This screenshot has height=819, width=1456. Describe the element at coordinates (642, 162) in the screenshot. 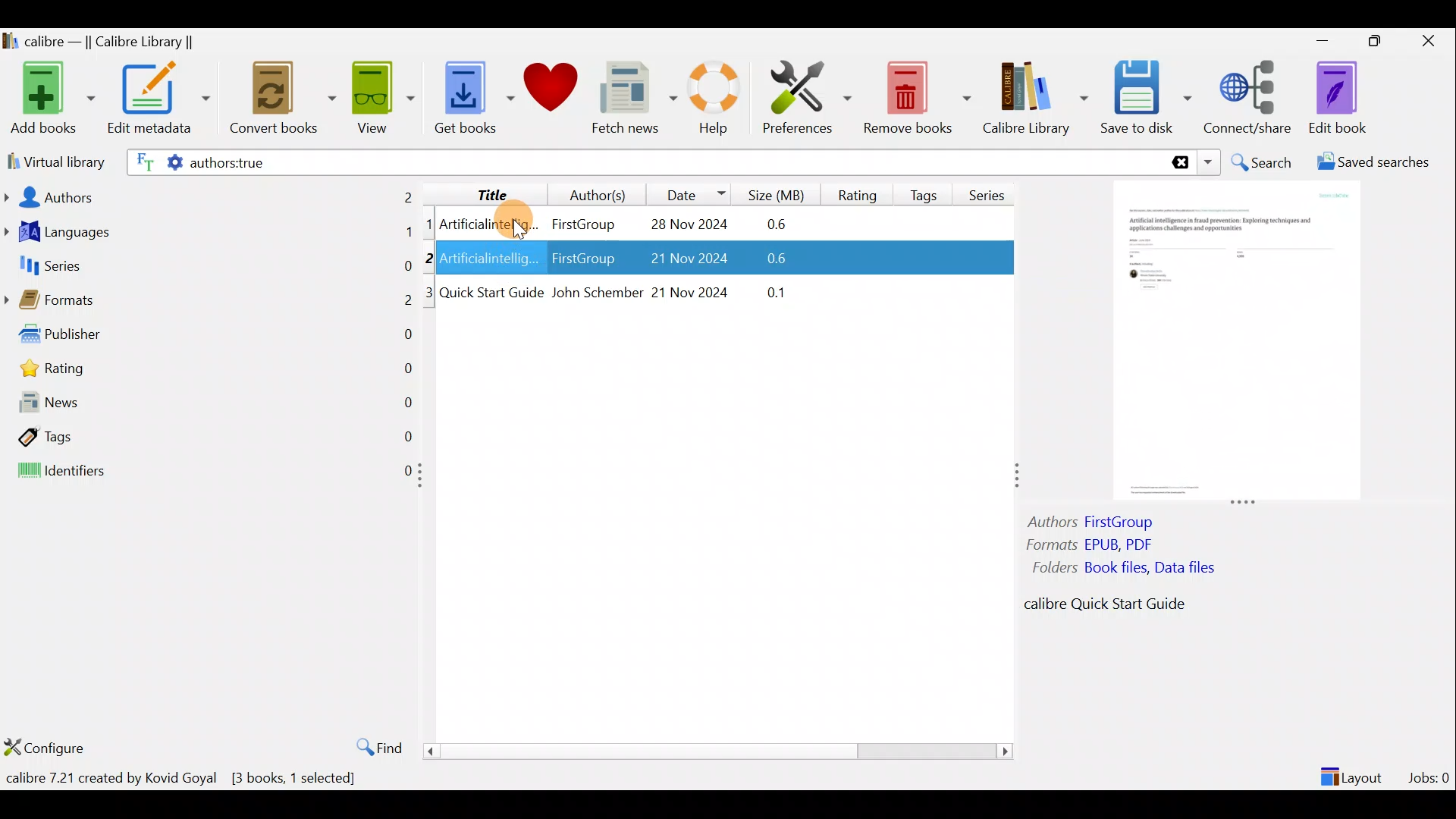

I see `Search by - authors:true` at that location.